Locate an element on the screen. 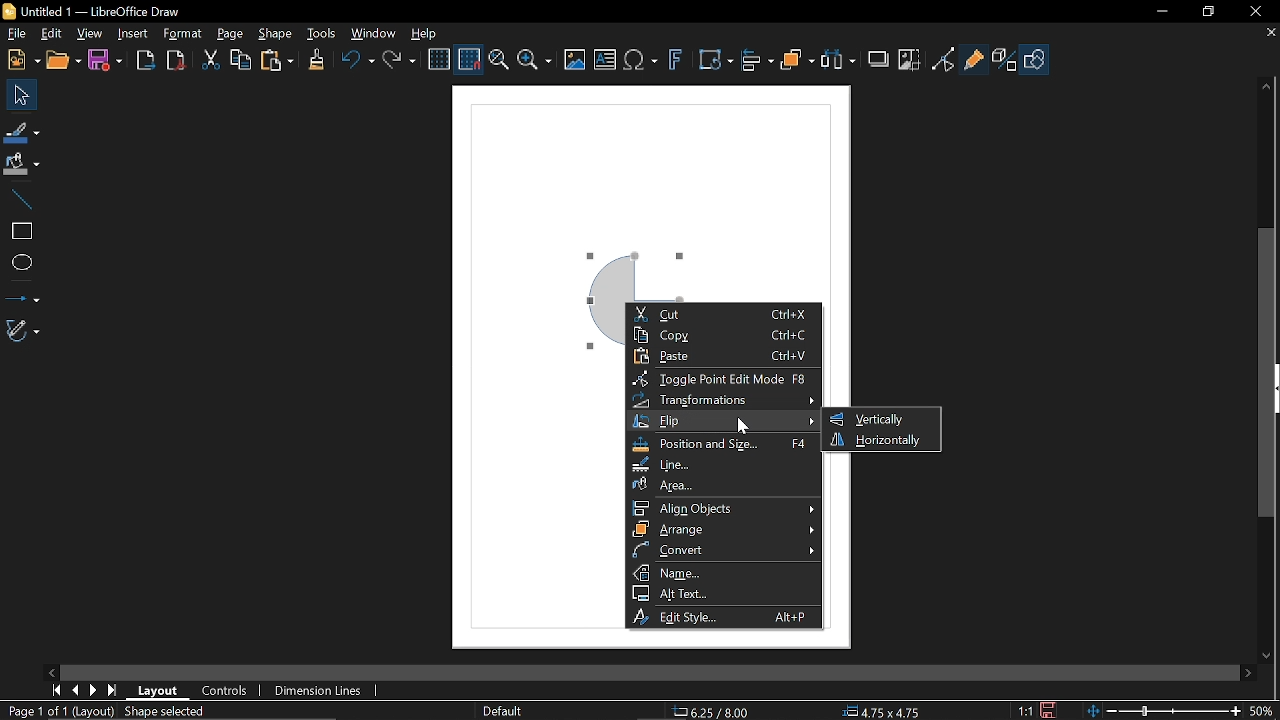 The width and height of the screenshot is (1280, 720). Horizontally is located at coordinates (877, 439).